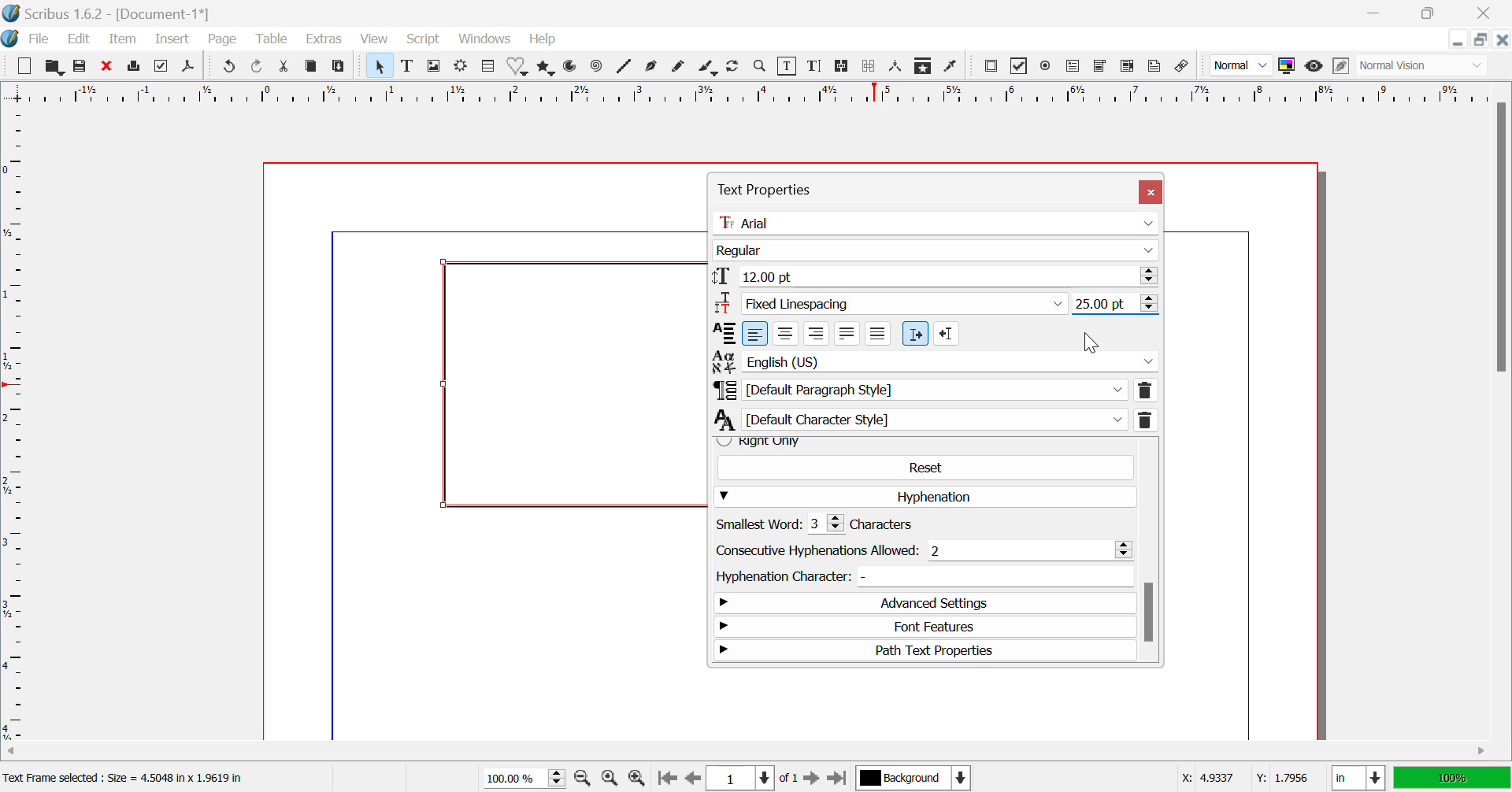  Describe the element at coordinates (228, 68) in the screenshot. I see `Undo` at that location.